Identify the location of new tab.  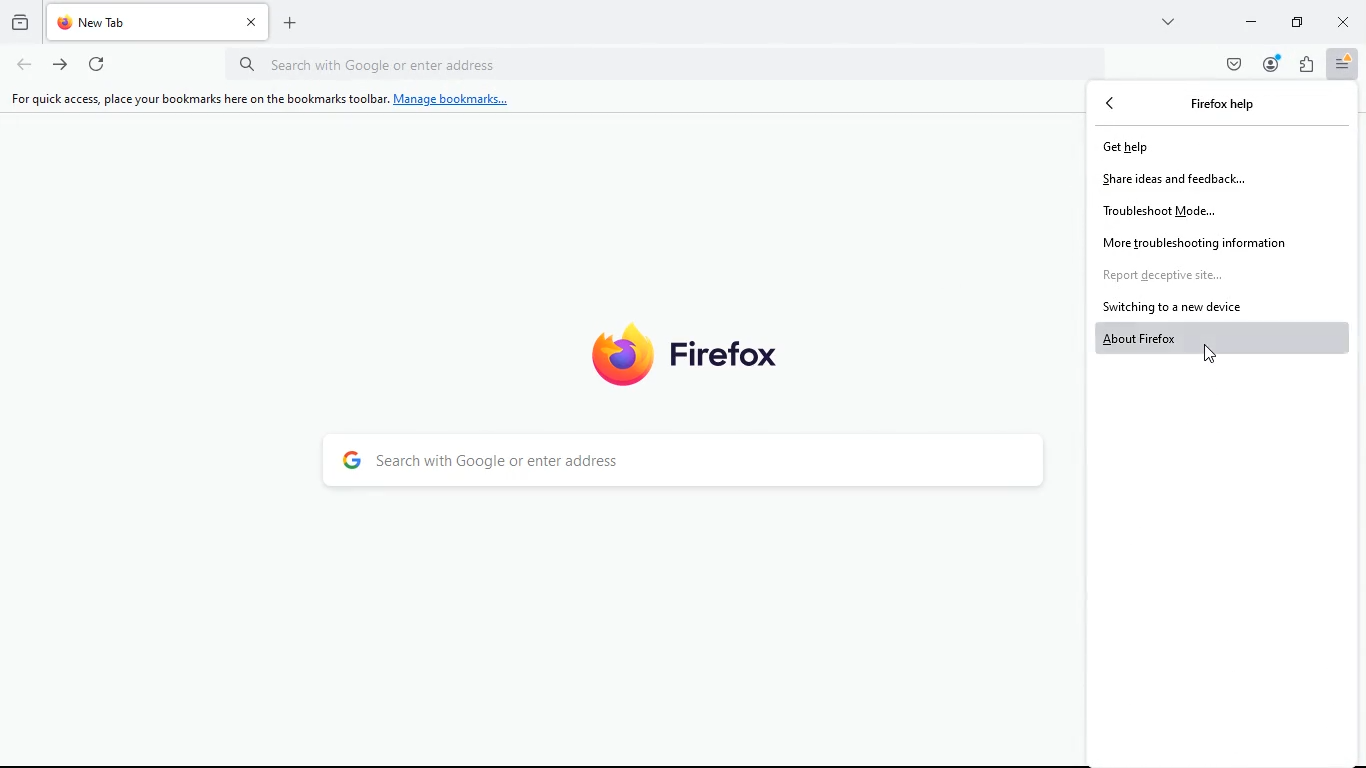
(298, 28).